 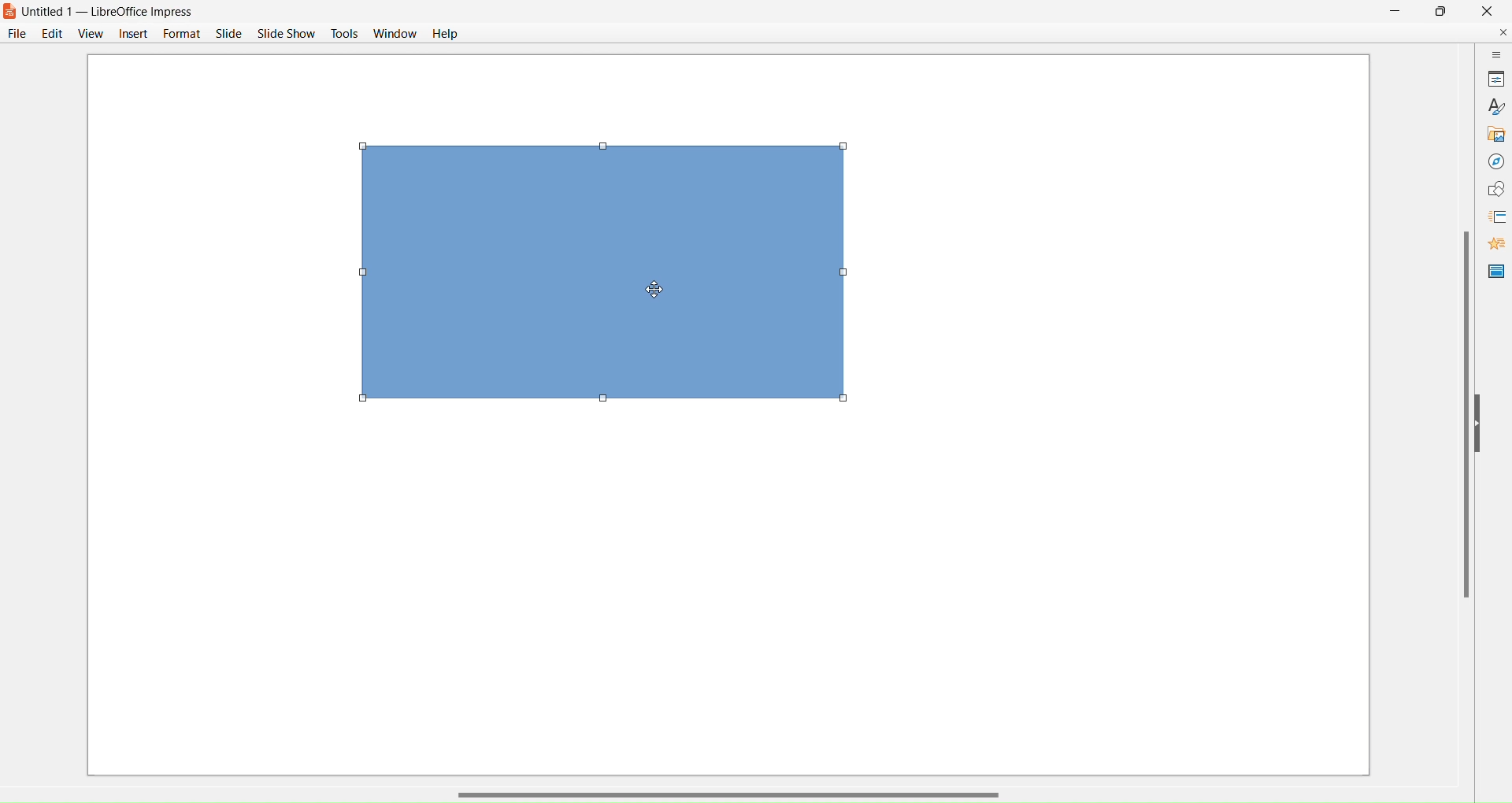 What do you see at coordinates (1463, 413) in the screenshot?
I see `Vertical Scroll Bar` at bounding box center [1463, 413].